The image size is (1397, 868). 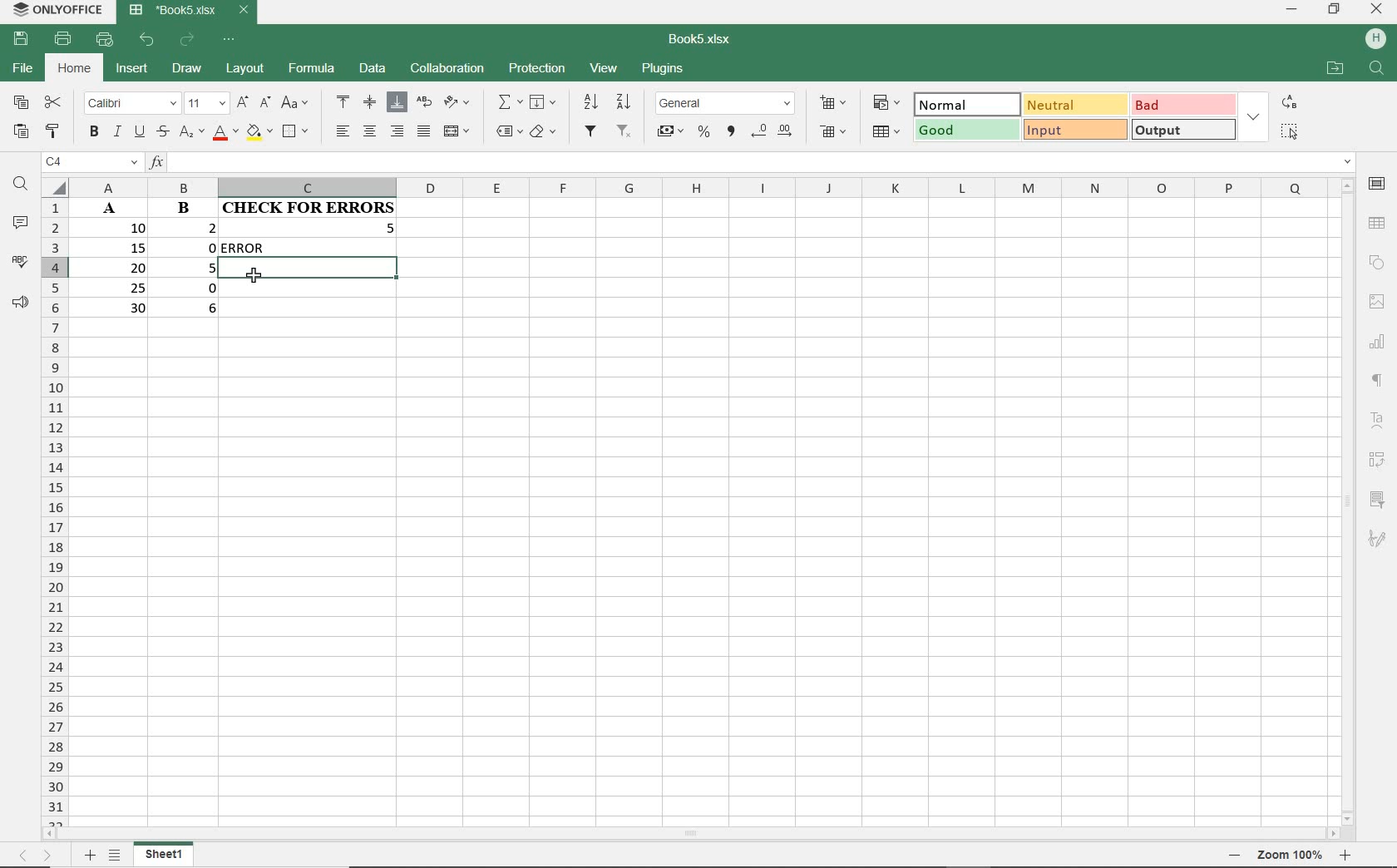 What do you see at coordinates (752, 163) in the screenshot?
I see `INPUT FUNCTION` at bounding box center [752, 163].